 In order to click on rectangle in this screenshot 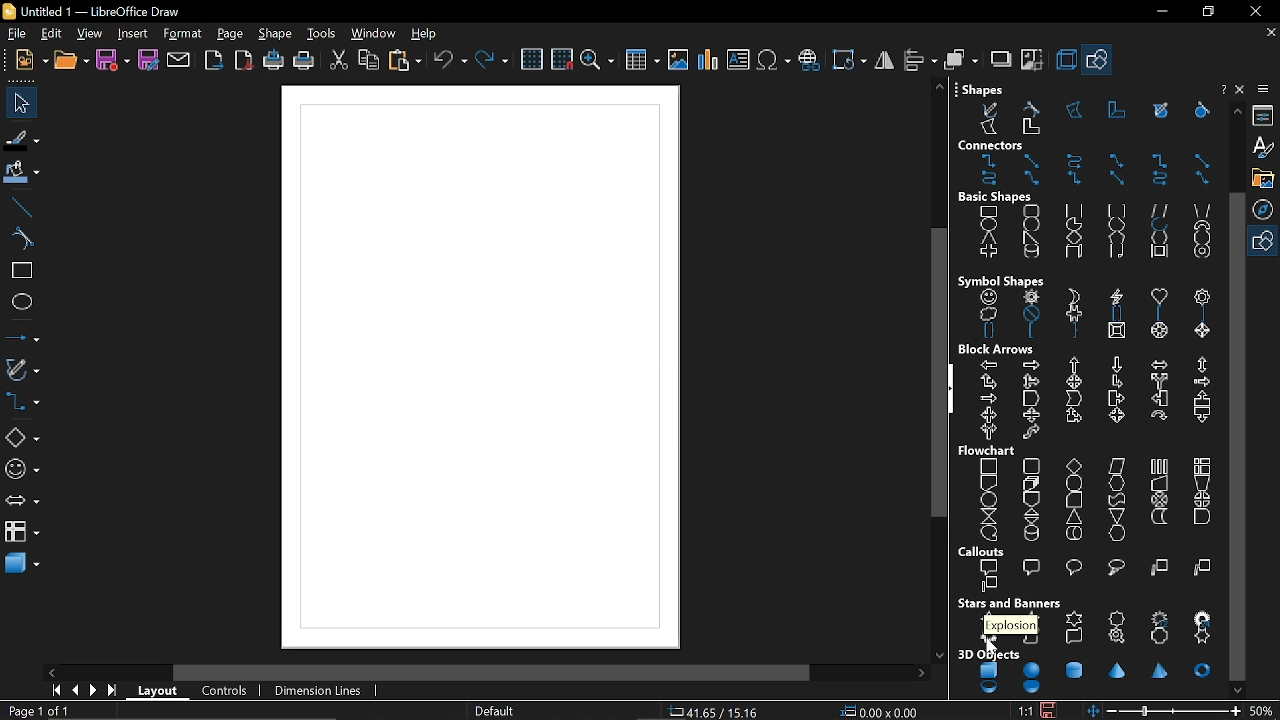, I will do `click(18, 271)`.